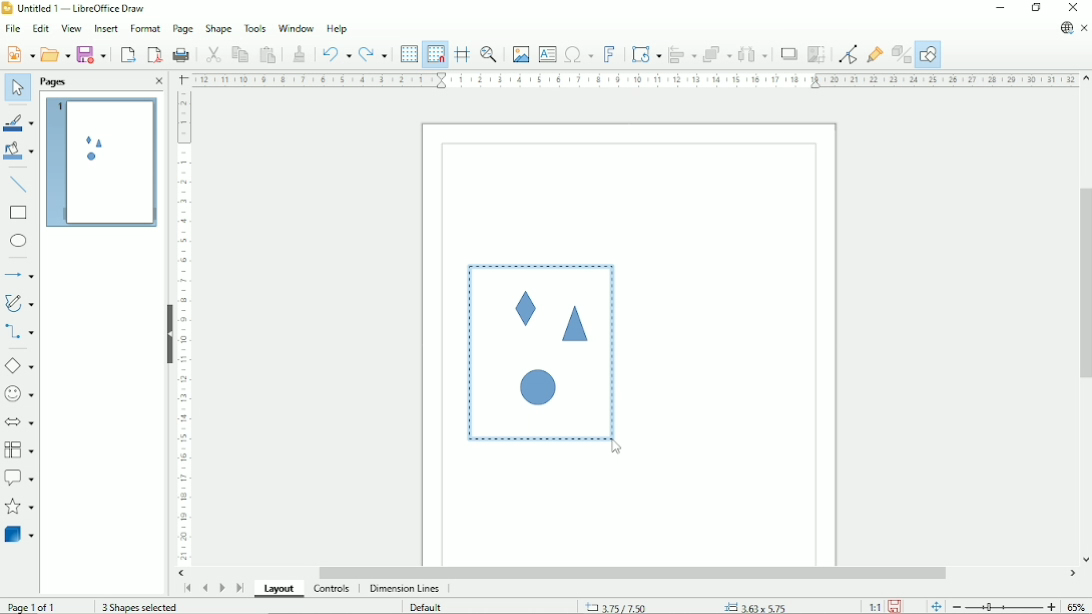 The image size is (1092, 614). Describe the element at coordinates (183, 29) in the screenshot. I see `Page` at that location.